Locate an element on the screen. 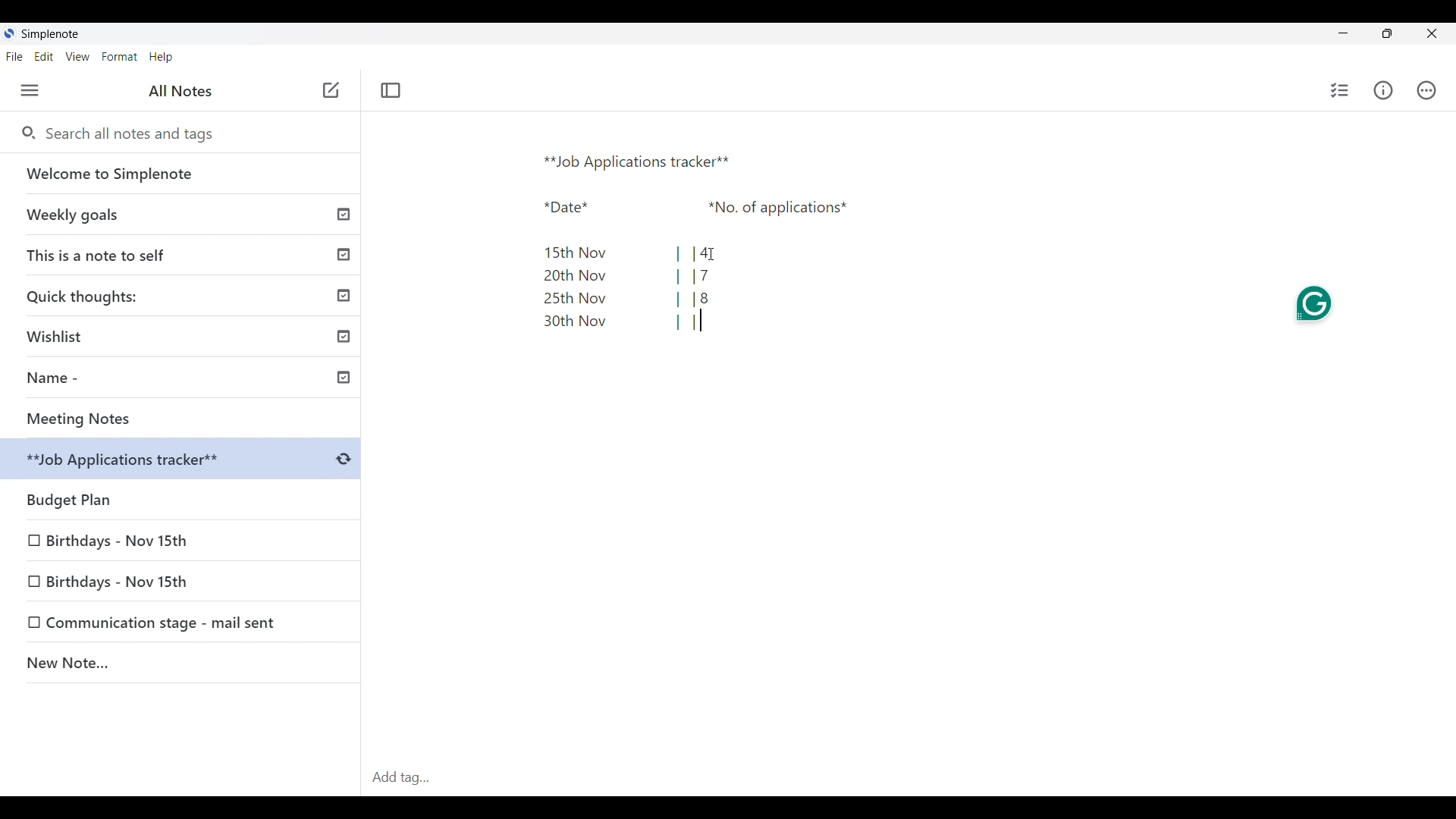  Search all notes and tags is located at coordinates (135, 133).